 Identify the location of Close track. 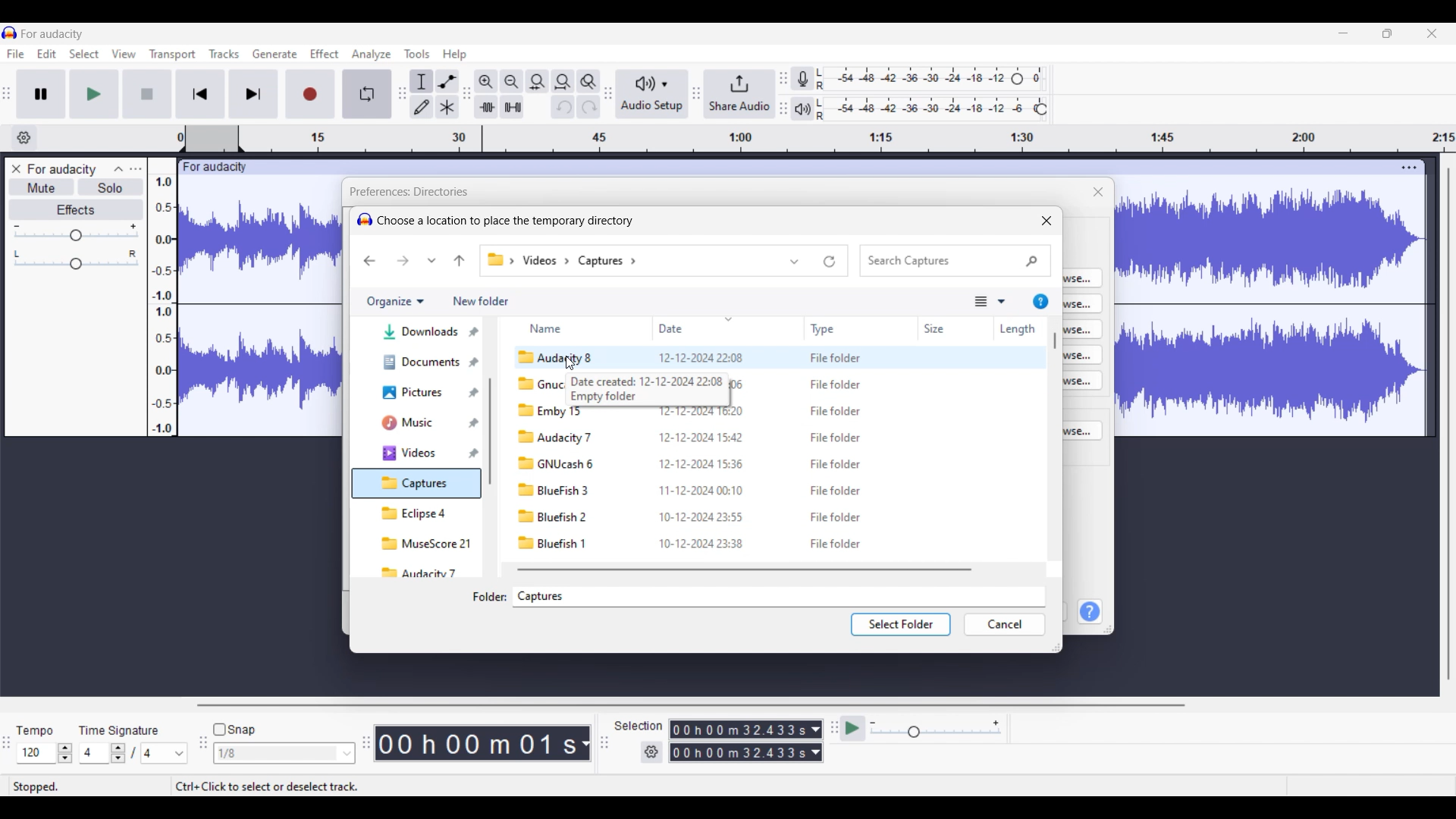
(17, 169).